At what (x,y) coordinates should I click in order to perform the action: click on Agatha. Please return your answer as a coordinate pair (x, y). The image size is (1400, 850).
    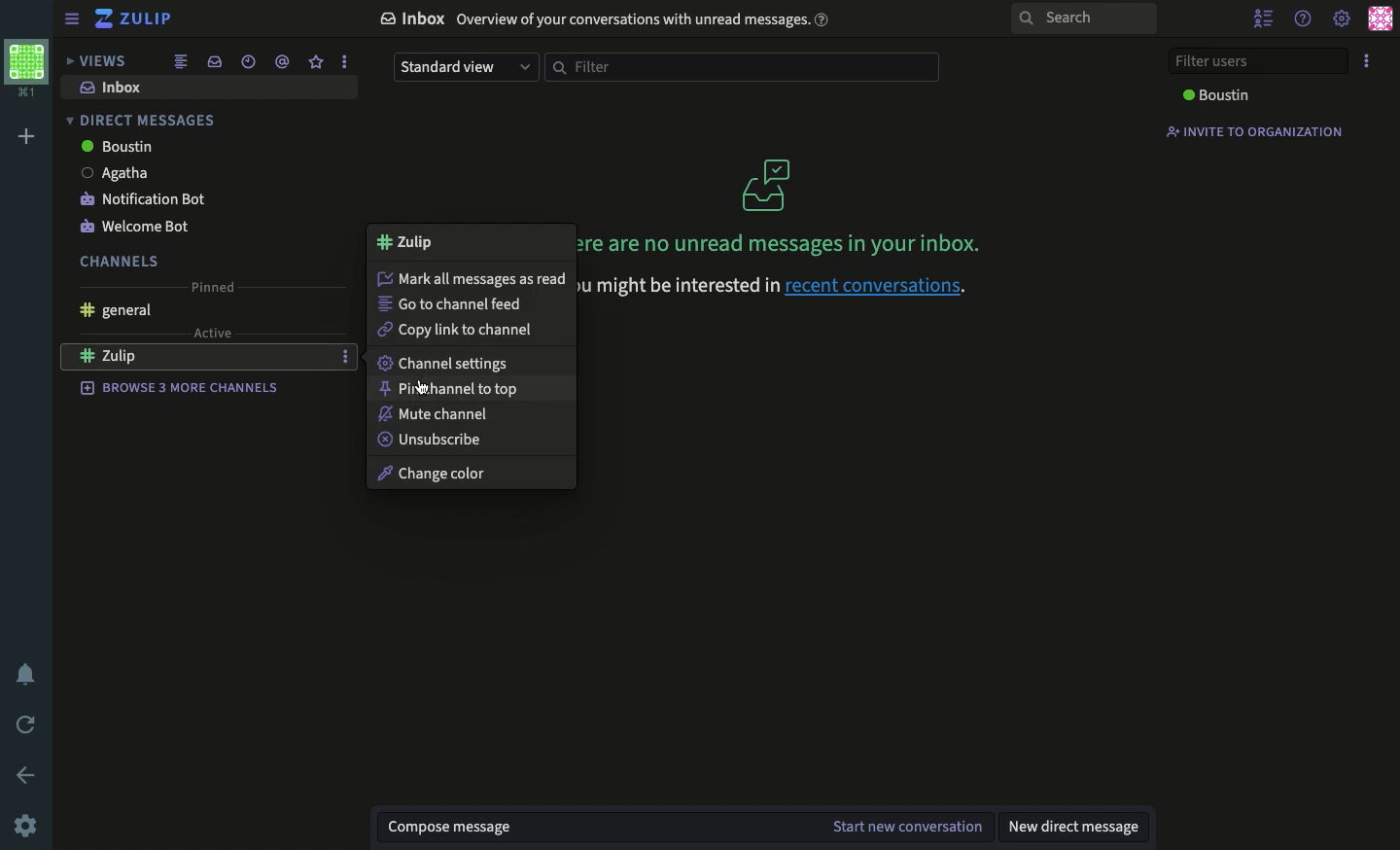
    Looking at the image, I should click on (114, 173).